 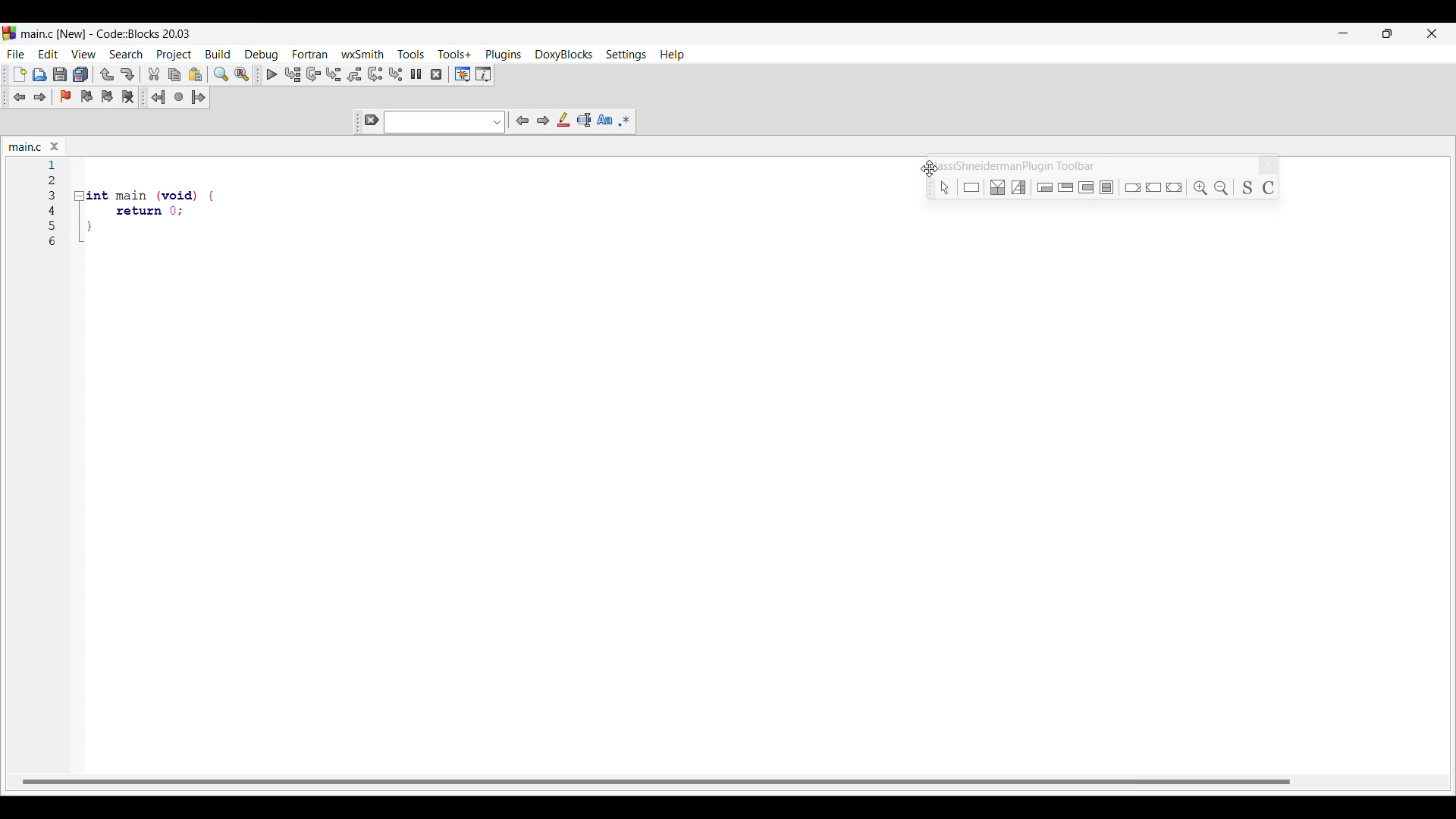 I want to click on Search menu, so click(x=127, y=54).